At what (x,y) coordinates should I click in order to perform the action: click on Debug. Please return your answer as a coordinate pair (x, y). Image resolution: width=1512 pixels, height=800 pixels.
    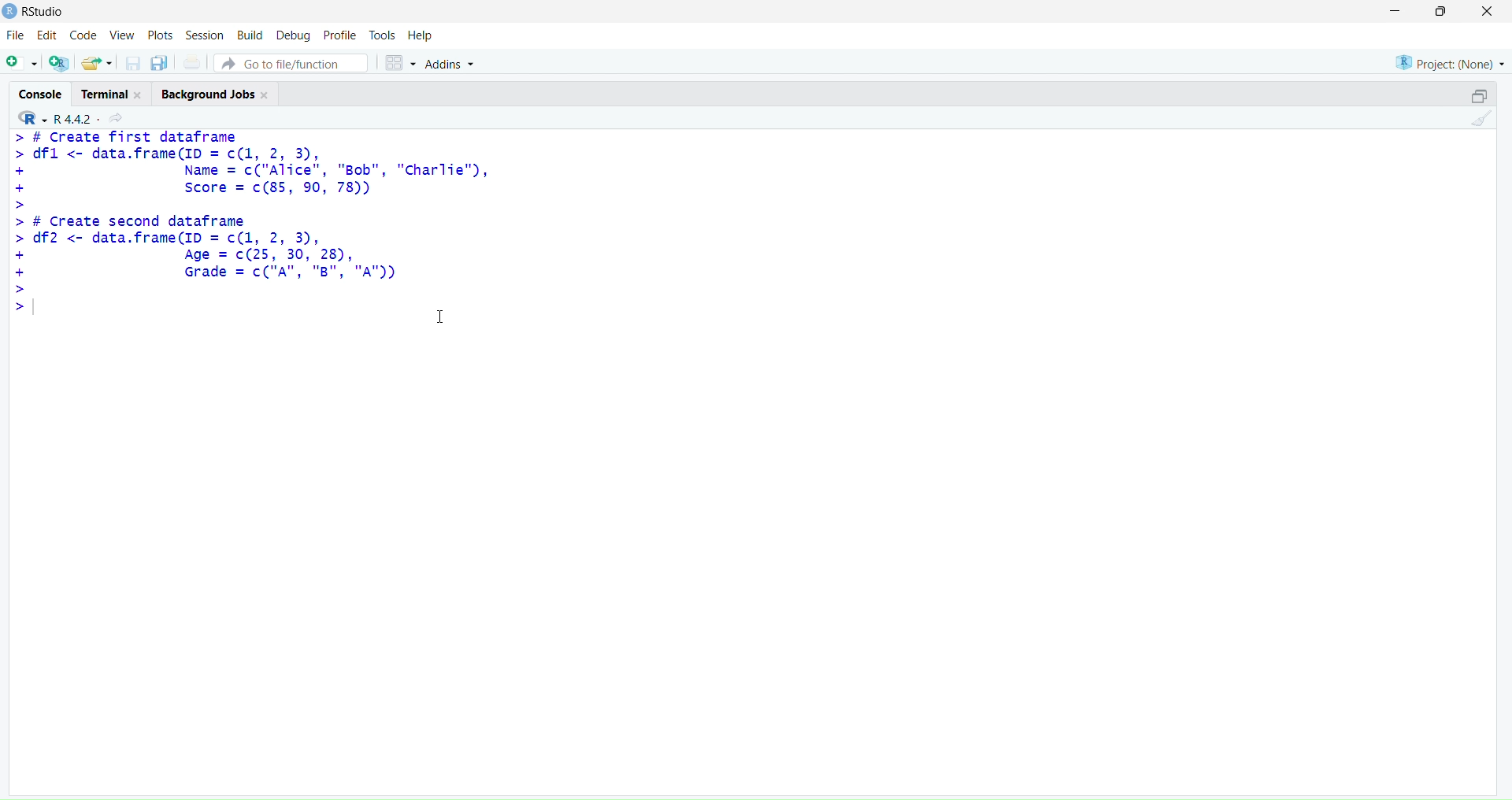
    Looking at the image, I should click on (293, 36).